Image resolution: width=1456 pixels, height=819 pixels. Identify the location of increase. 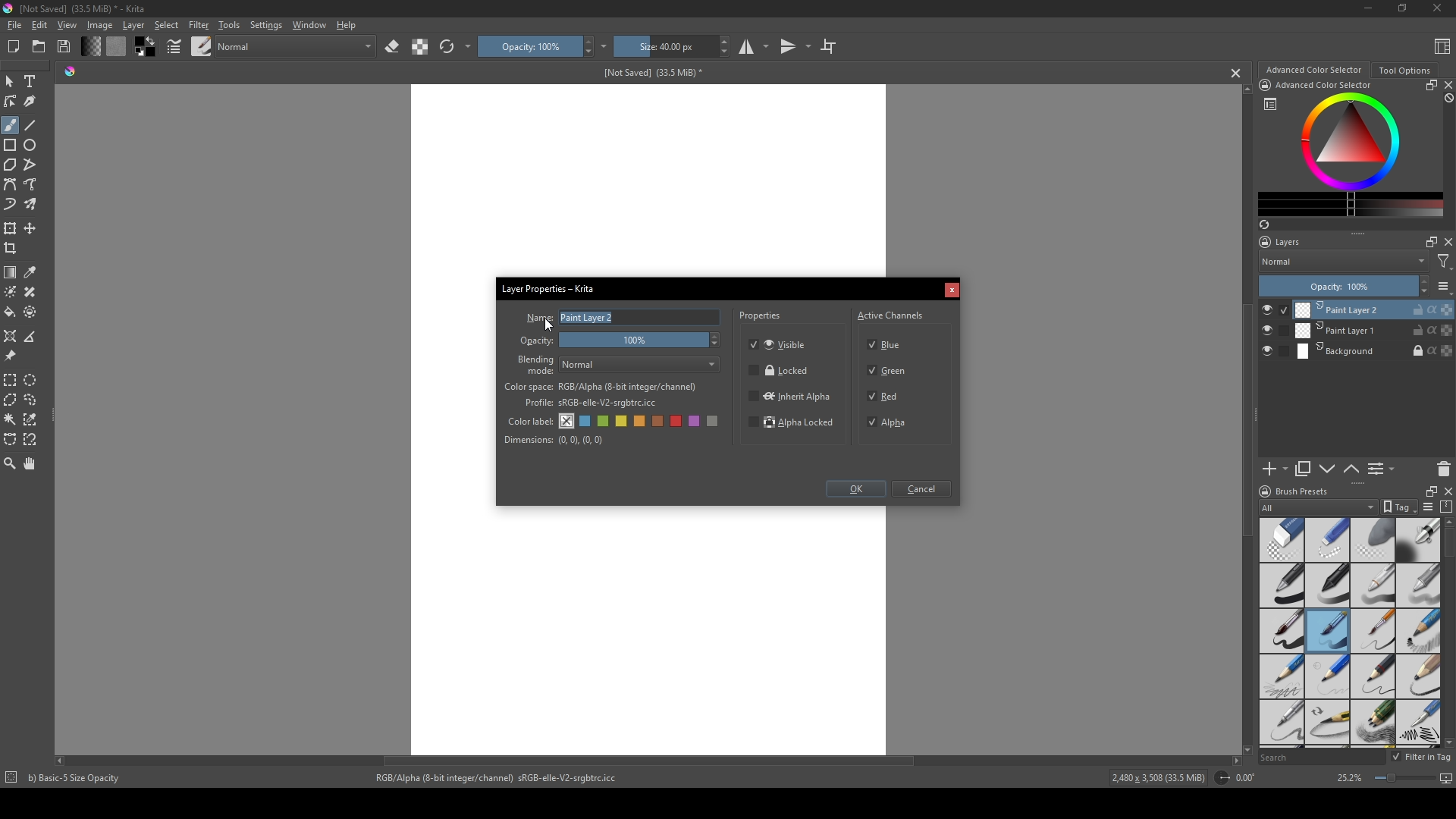
(1423, 281).